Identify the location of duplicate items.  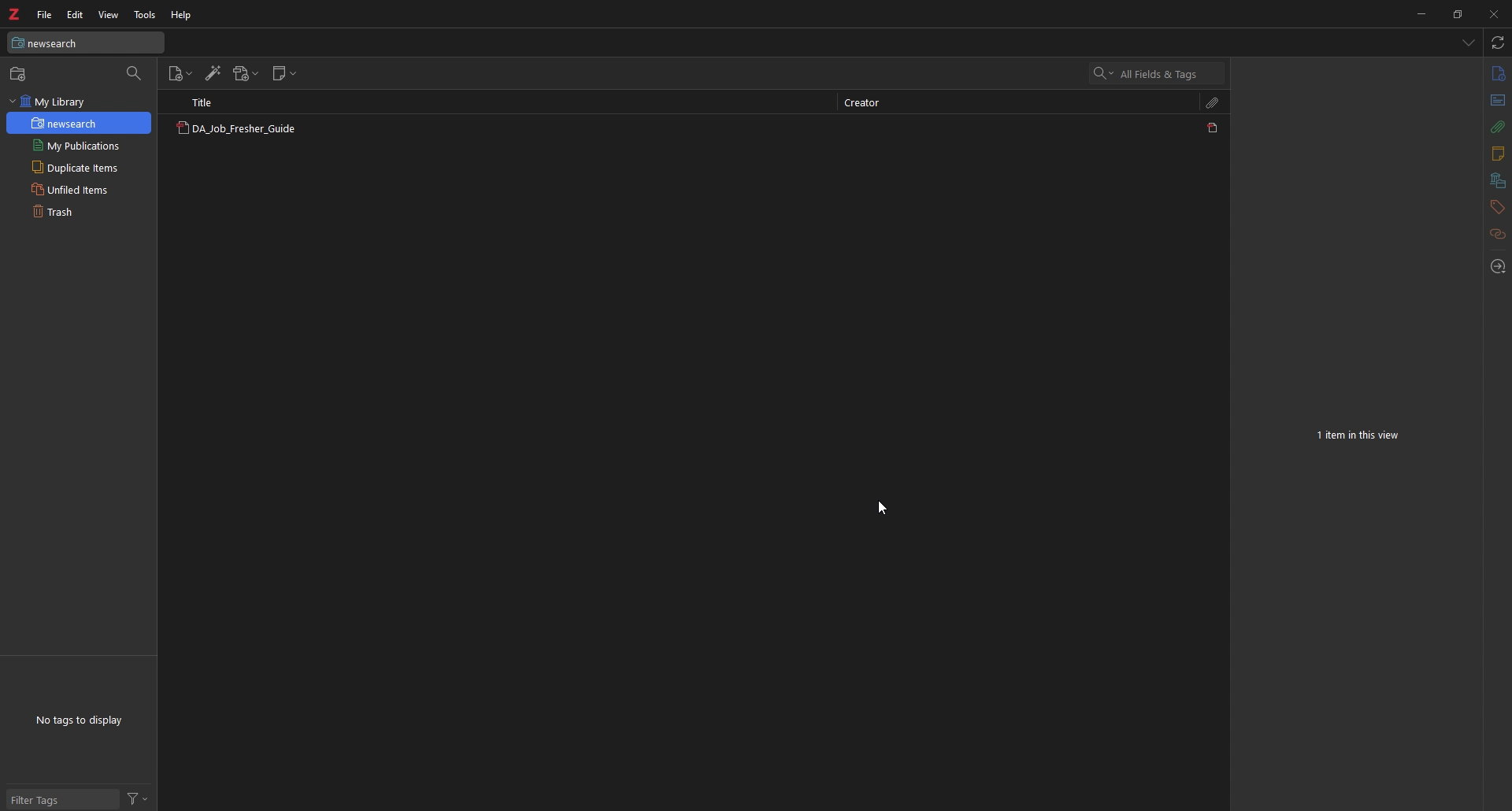
(79, 167).